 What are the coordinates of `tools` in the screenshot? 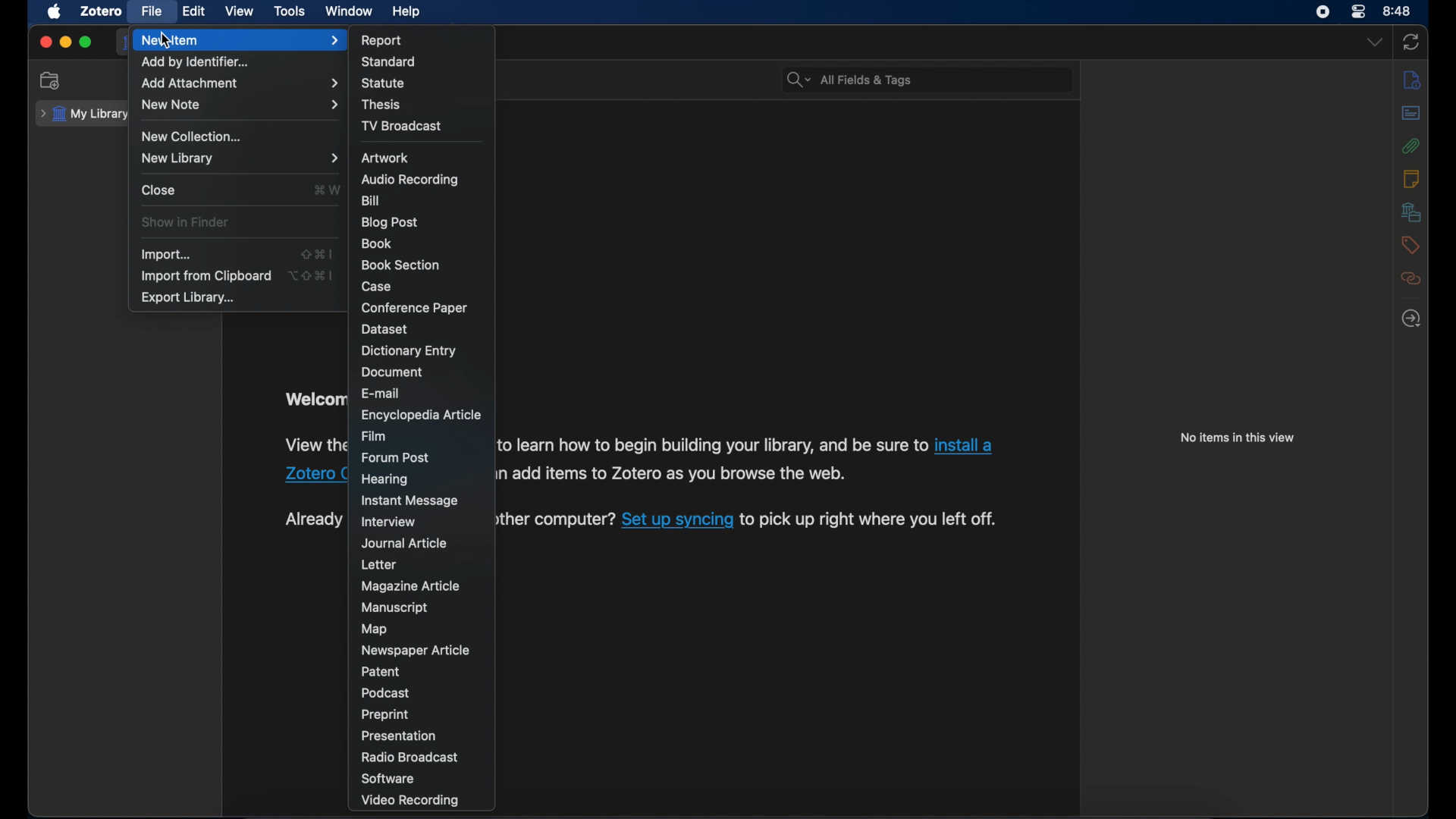 It's located at (290, 11).